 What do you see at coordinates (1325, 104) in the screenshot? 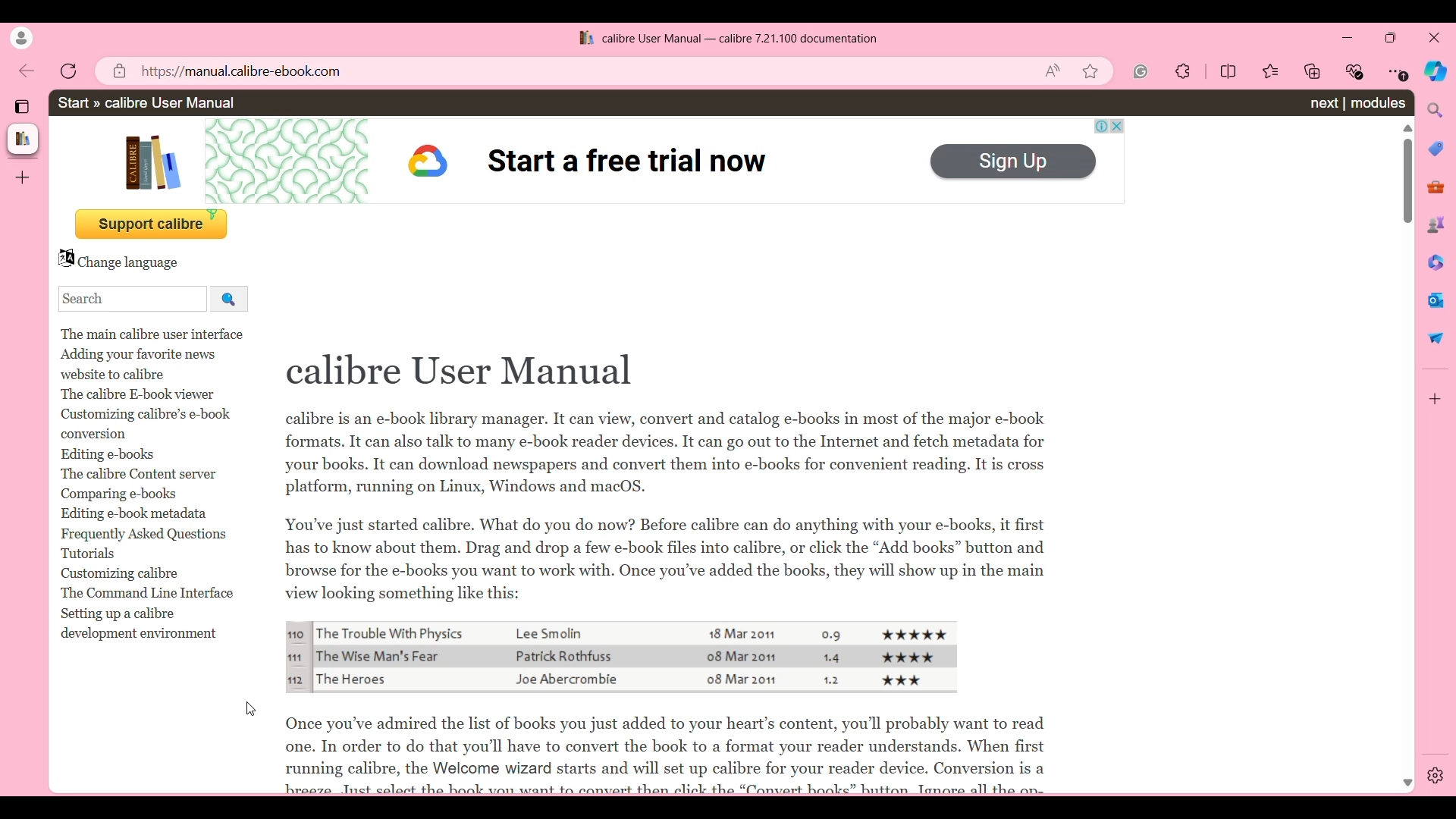
I see `Next` at bounding box center [1325, 104].